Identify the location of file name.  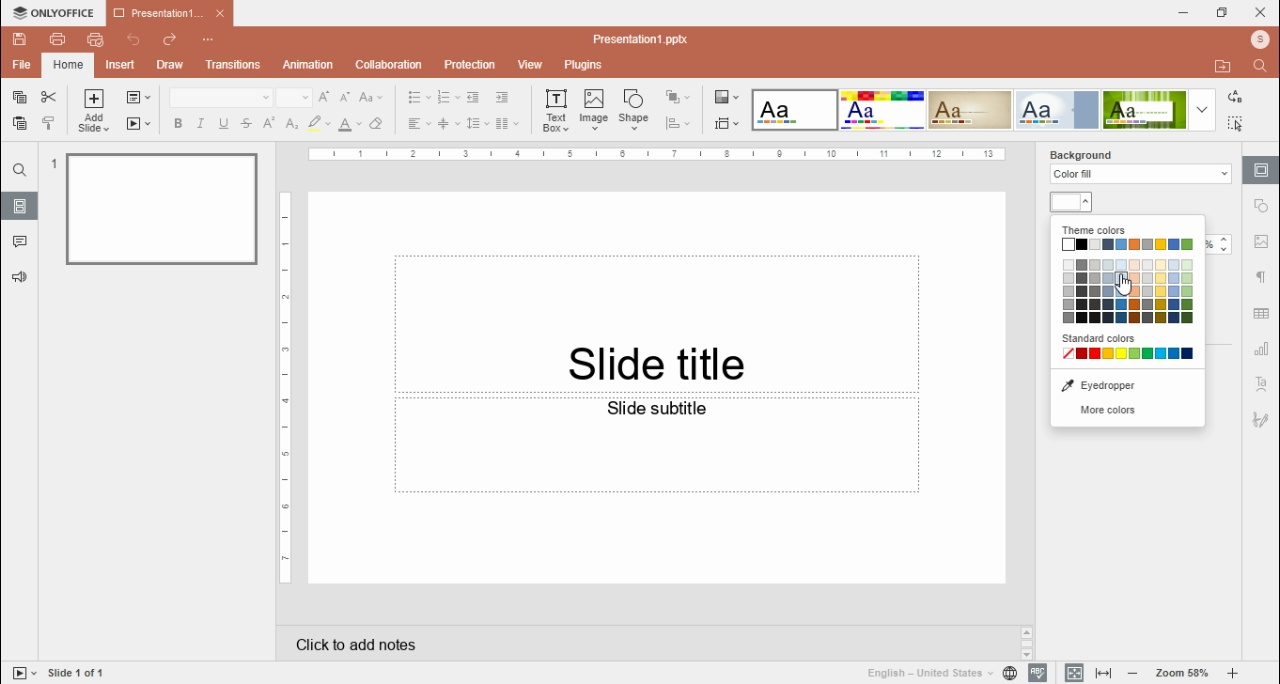
(650, 37).